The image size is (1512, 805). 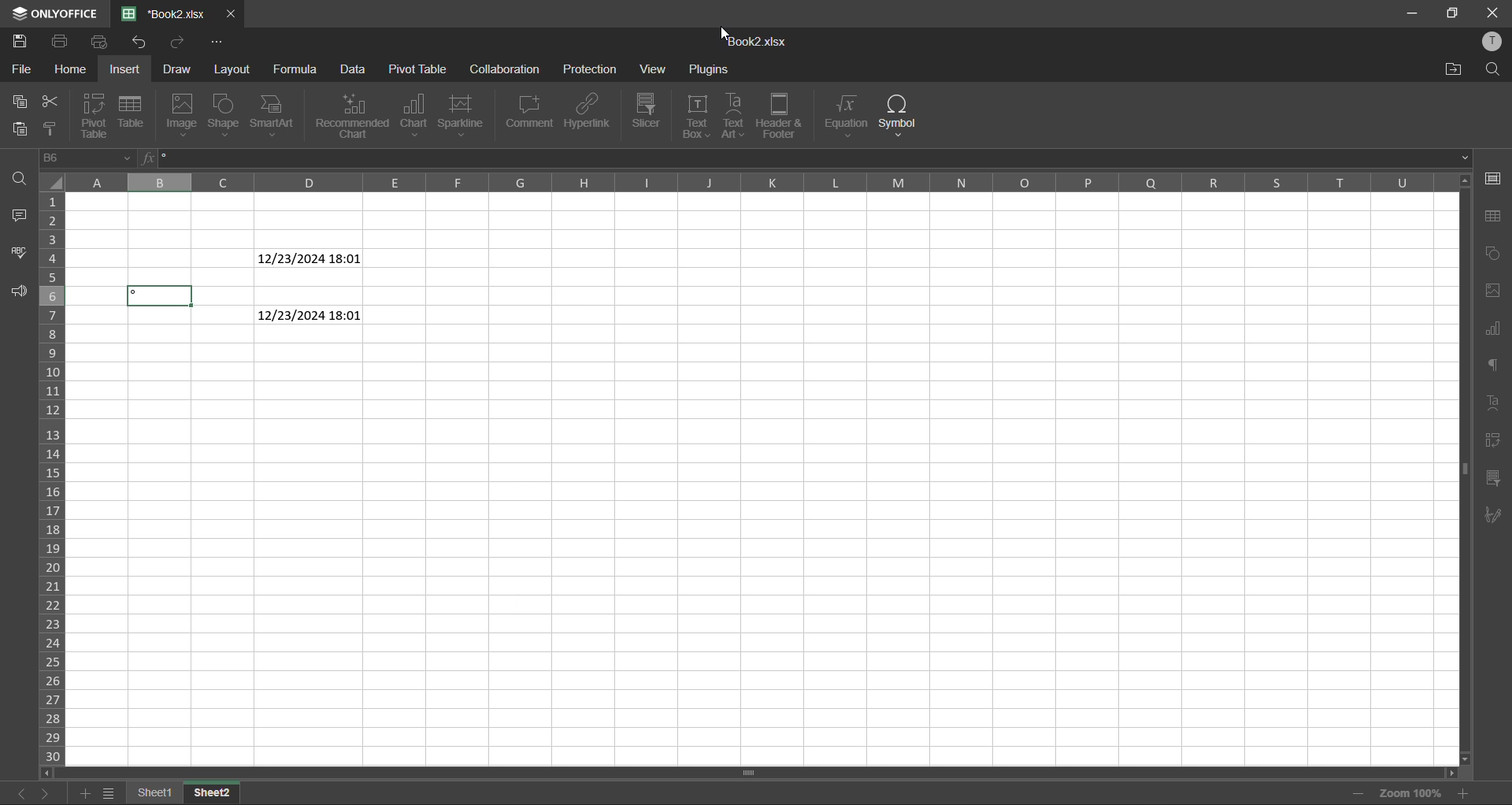 I want to click on save, so click(x=21, y=41).